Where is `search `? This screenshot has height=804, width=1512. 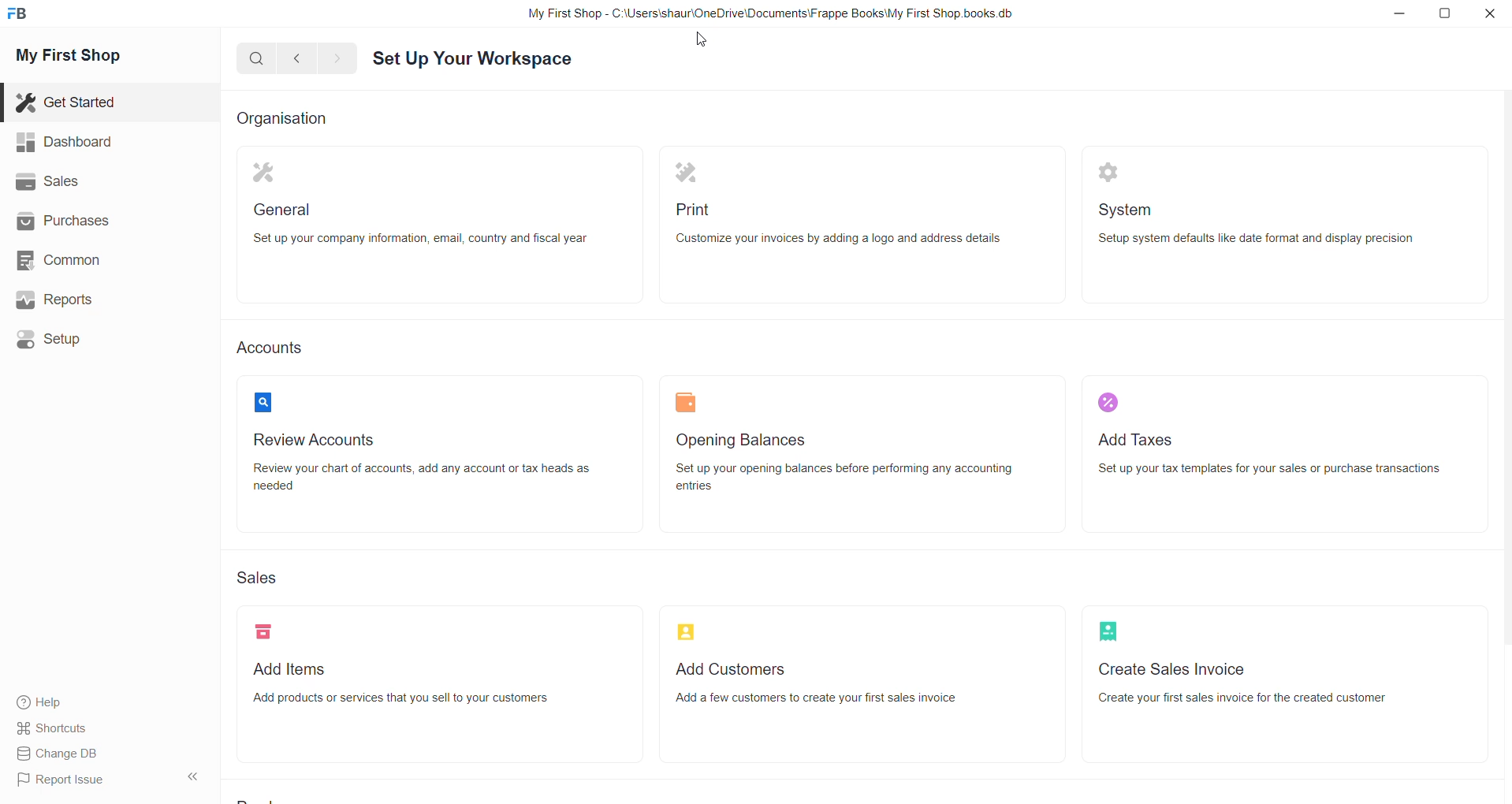
search  is located at coordinates (256, 62).